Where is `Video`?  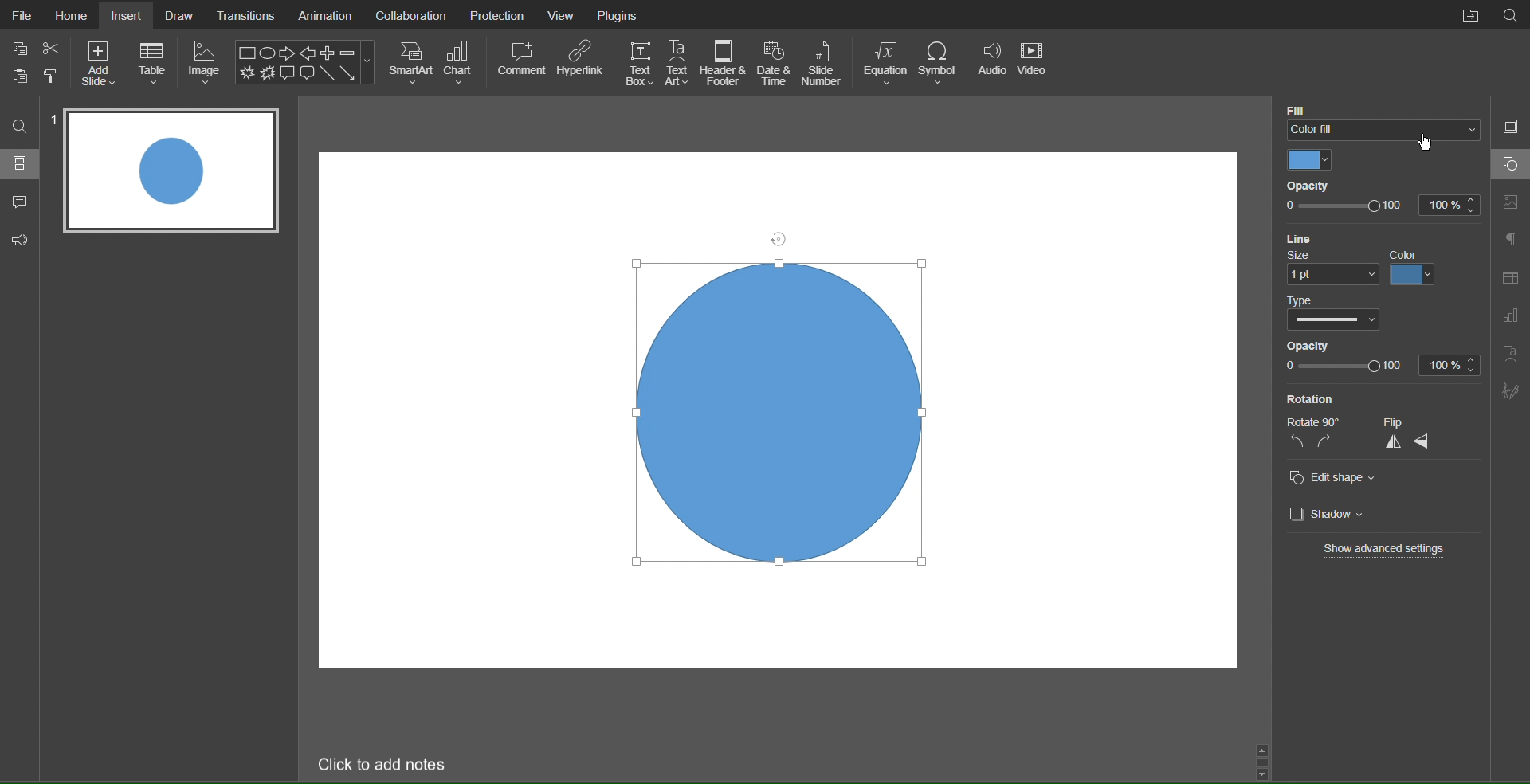
Video is located at coordinates (1034, 65).